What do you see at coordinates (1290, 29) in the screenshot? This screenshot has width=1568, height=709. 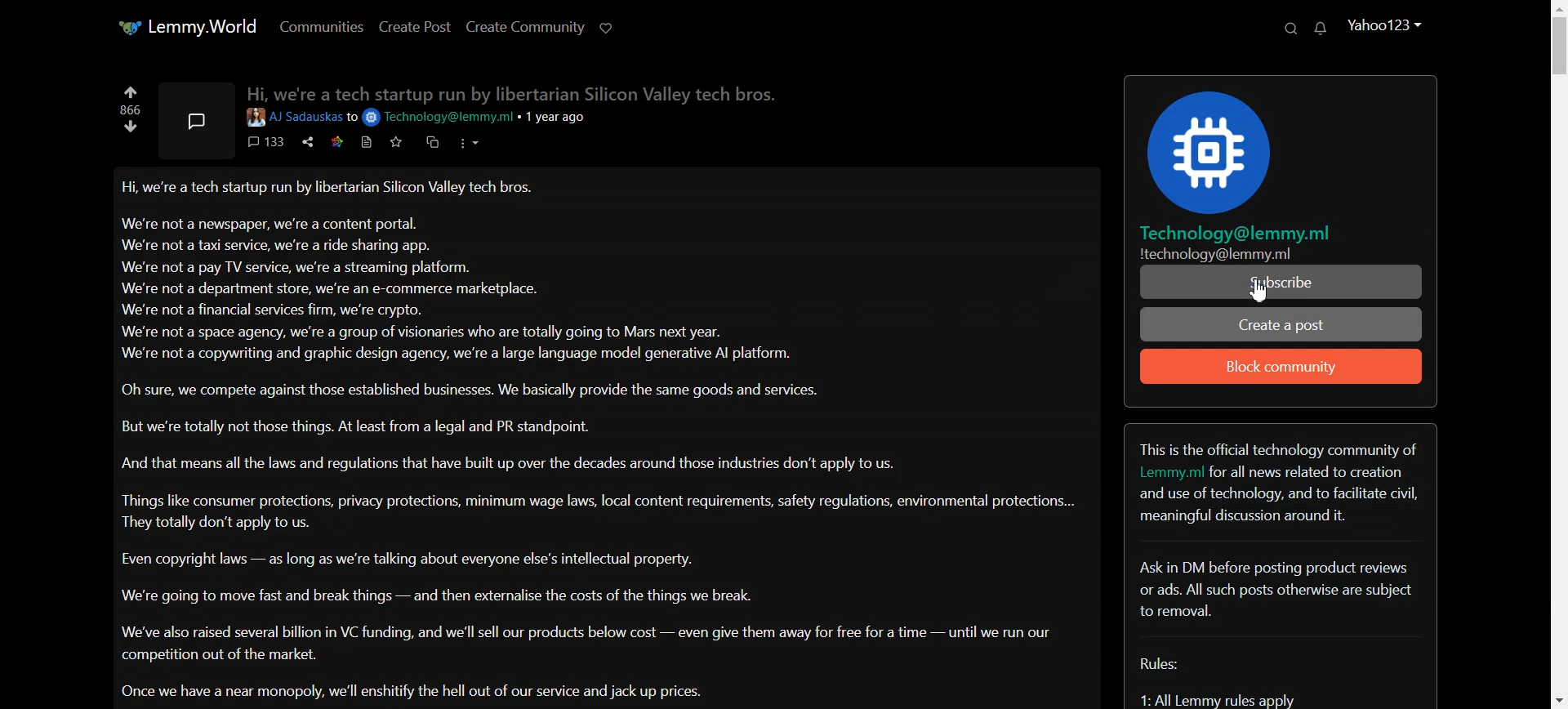 I see `Search` at bounding box center [1290, 29].